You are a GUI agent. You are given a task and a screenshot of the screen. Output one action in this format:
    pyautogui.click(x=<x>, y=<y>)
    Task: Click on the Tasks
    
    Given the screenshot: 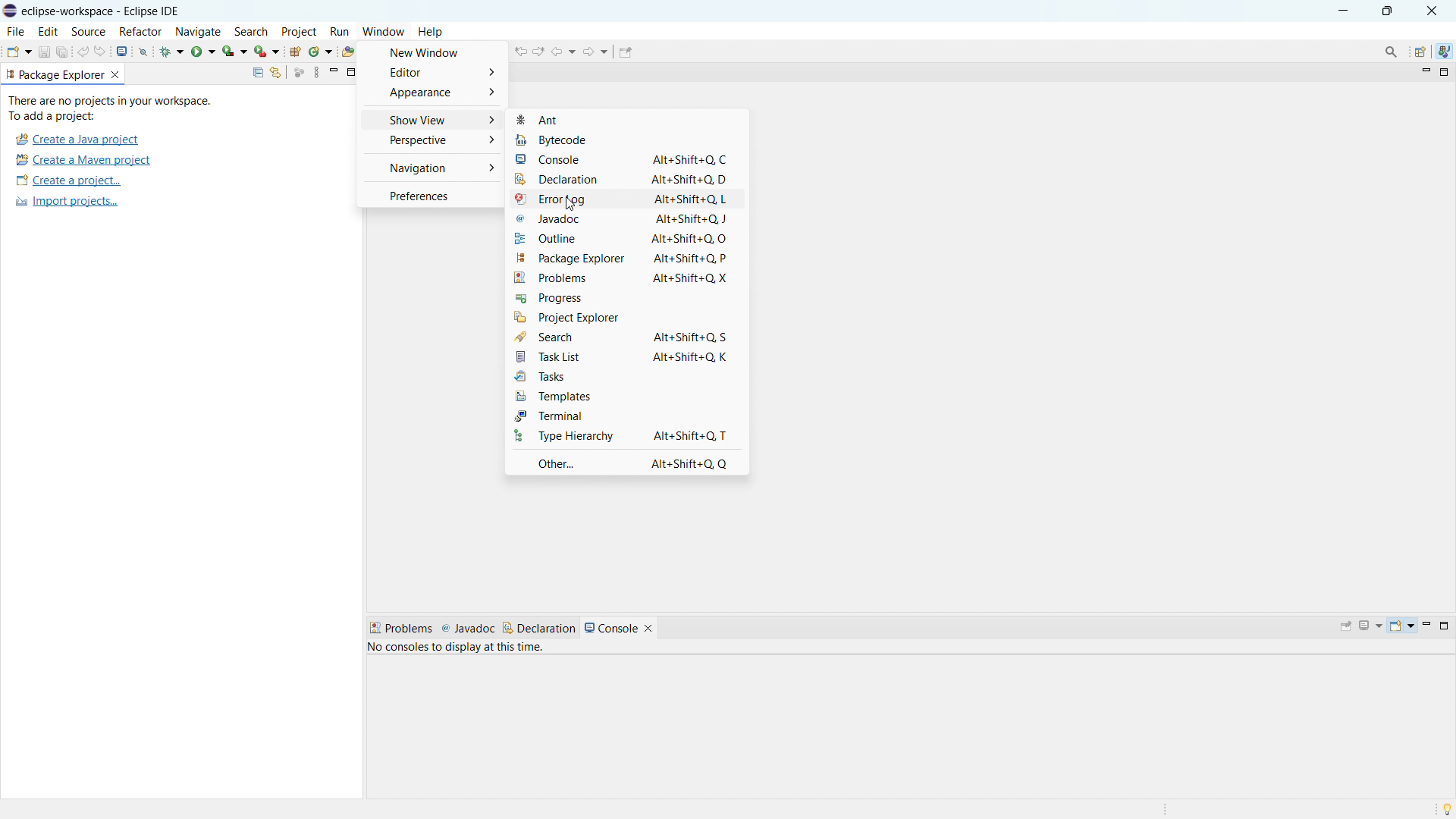 What is the action you would take?
    pyautogui.click(x=615, y=376)
    